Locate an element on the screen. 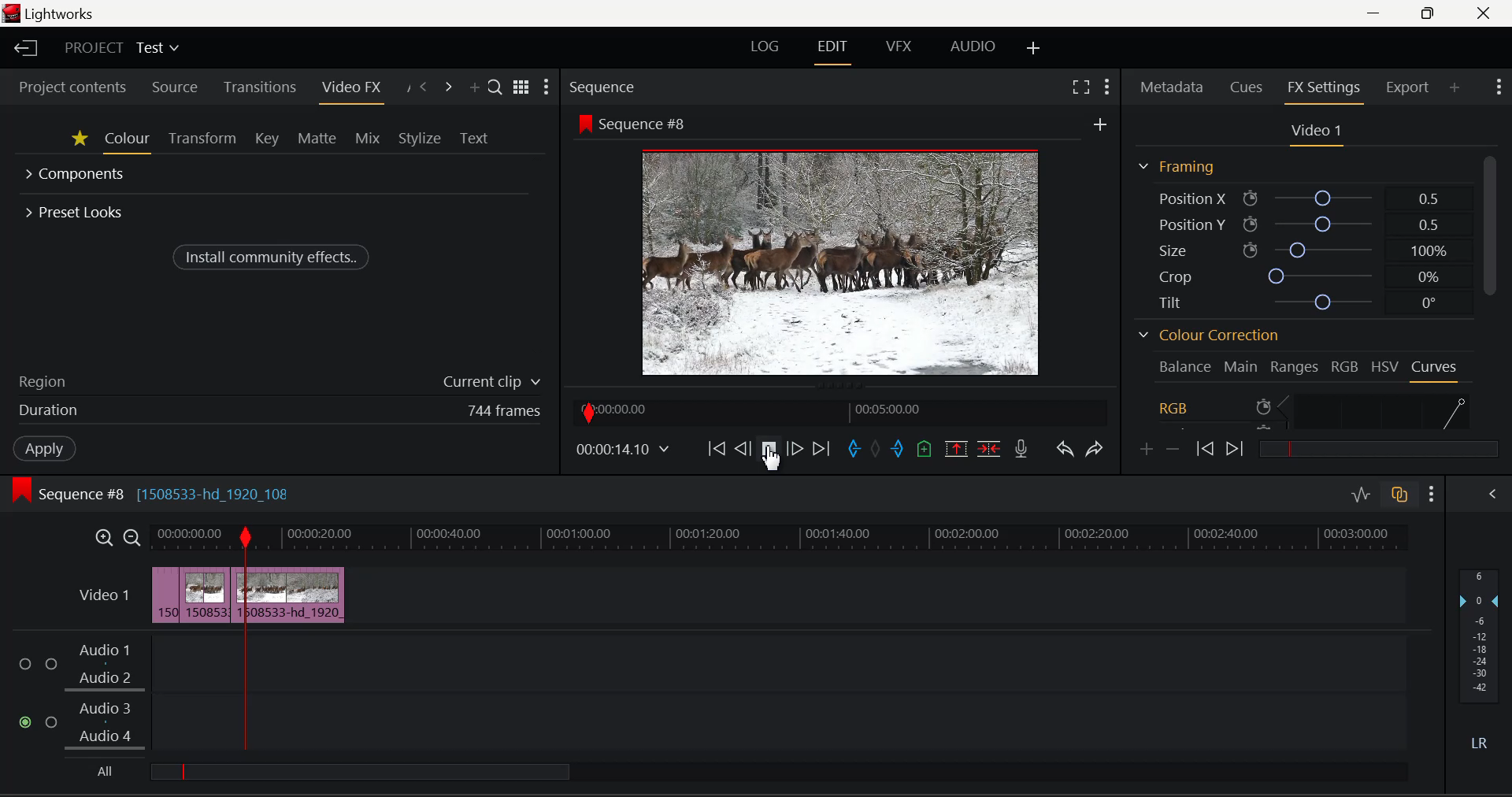 Image resolution: width=1512 pixels, height=797 pixels. Next keyframe is located at coordinates (1238, 446).